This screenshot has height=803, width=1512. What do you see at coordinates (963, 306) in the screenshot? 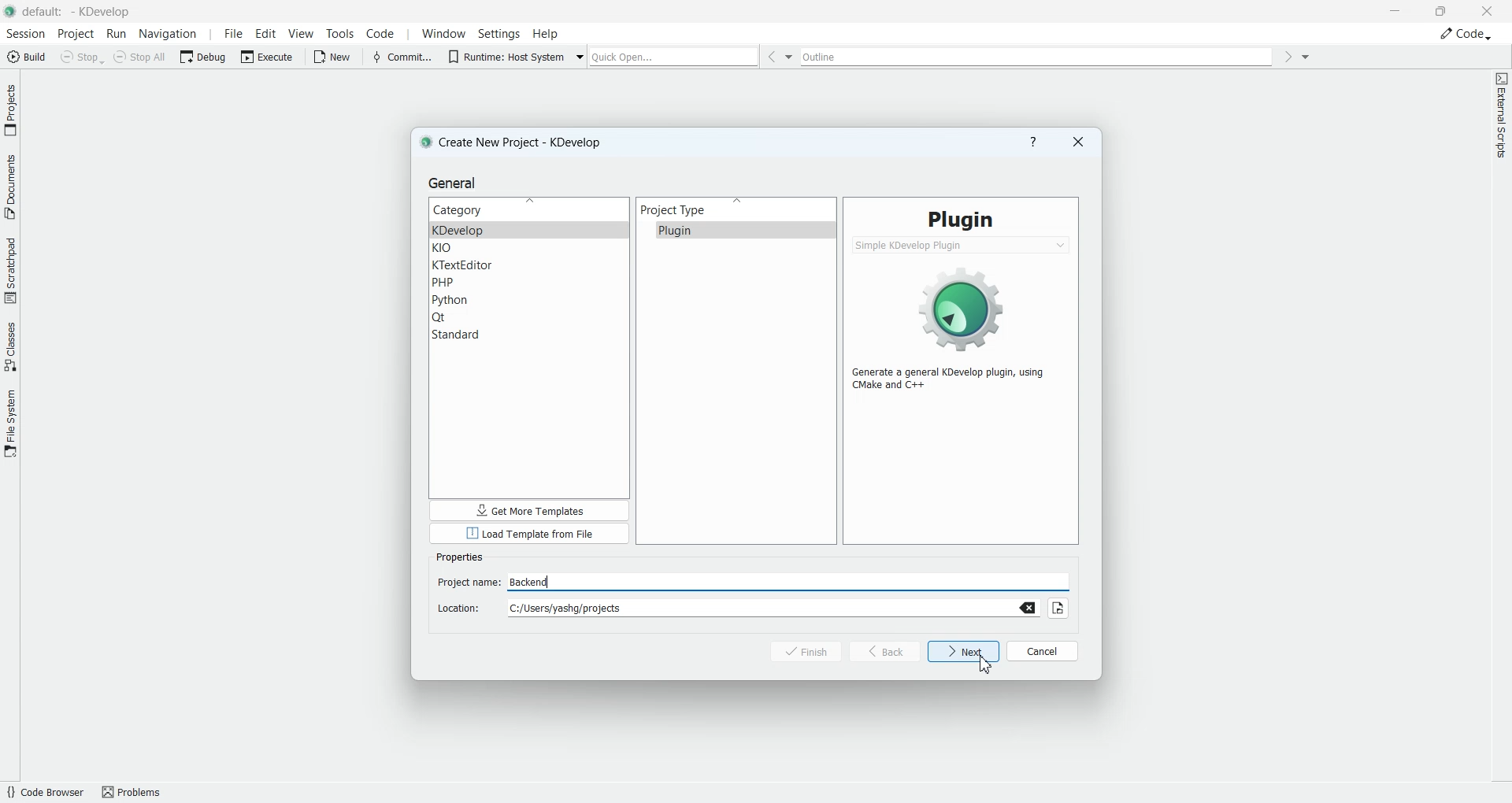
I see `Logo` at bounding box center [963, 306].